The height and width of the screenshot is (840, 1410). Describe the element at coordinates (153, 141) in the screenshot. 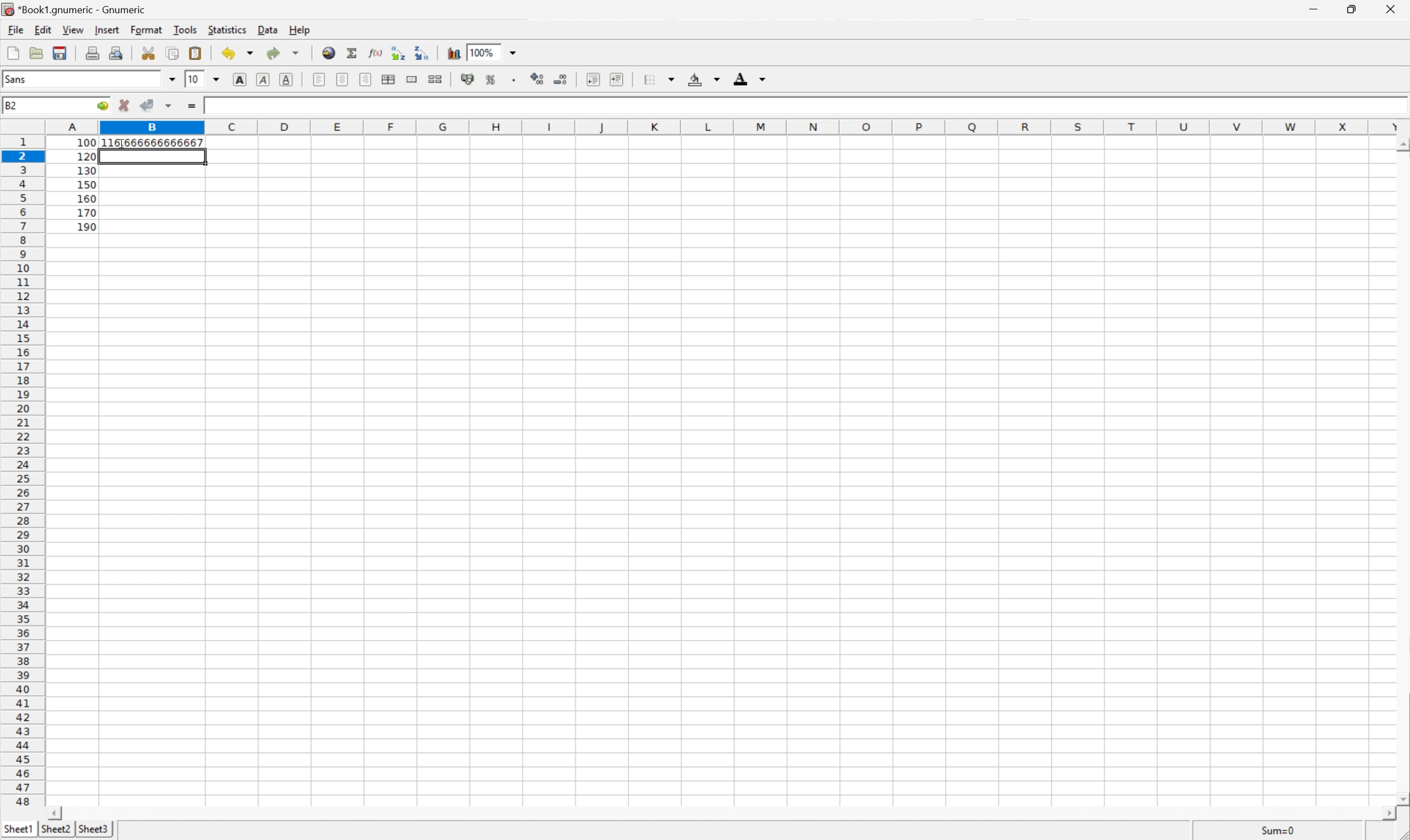

I see `116666666666667` at that location.